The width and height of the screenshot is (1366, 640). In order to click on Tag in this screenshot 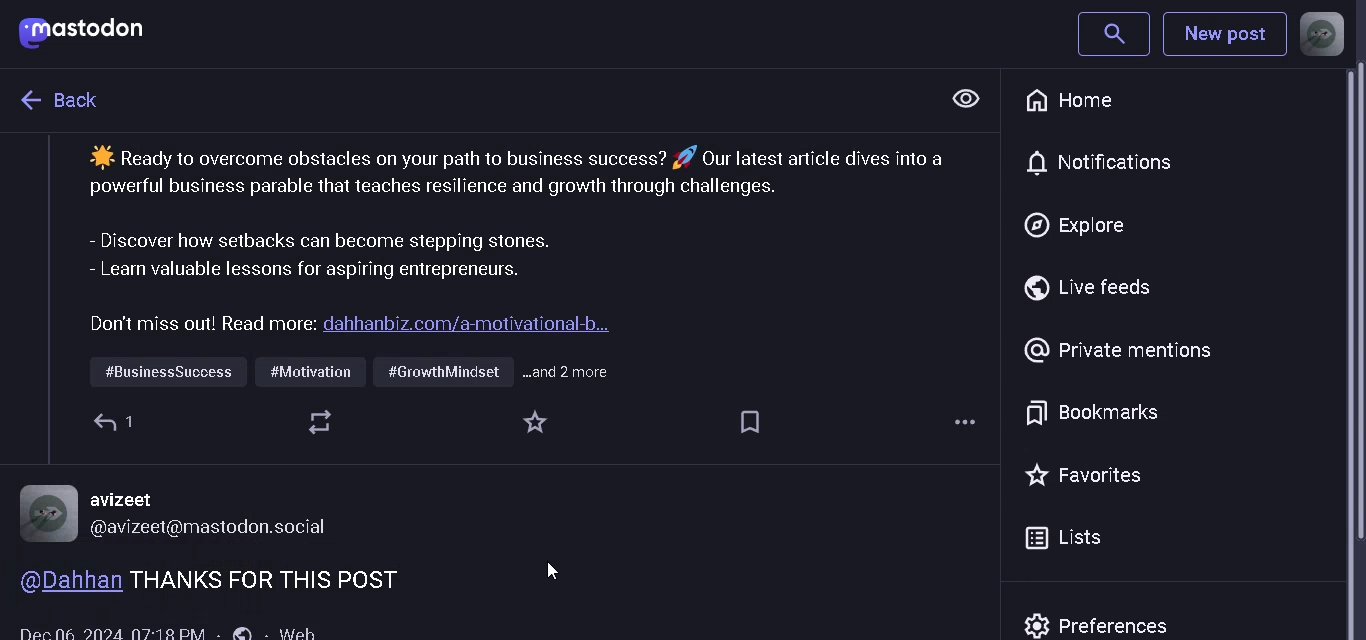, I will do `click(747, 423)`.